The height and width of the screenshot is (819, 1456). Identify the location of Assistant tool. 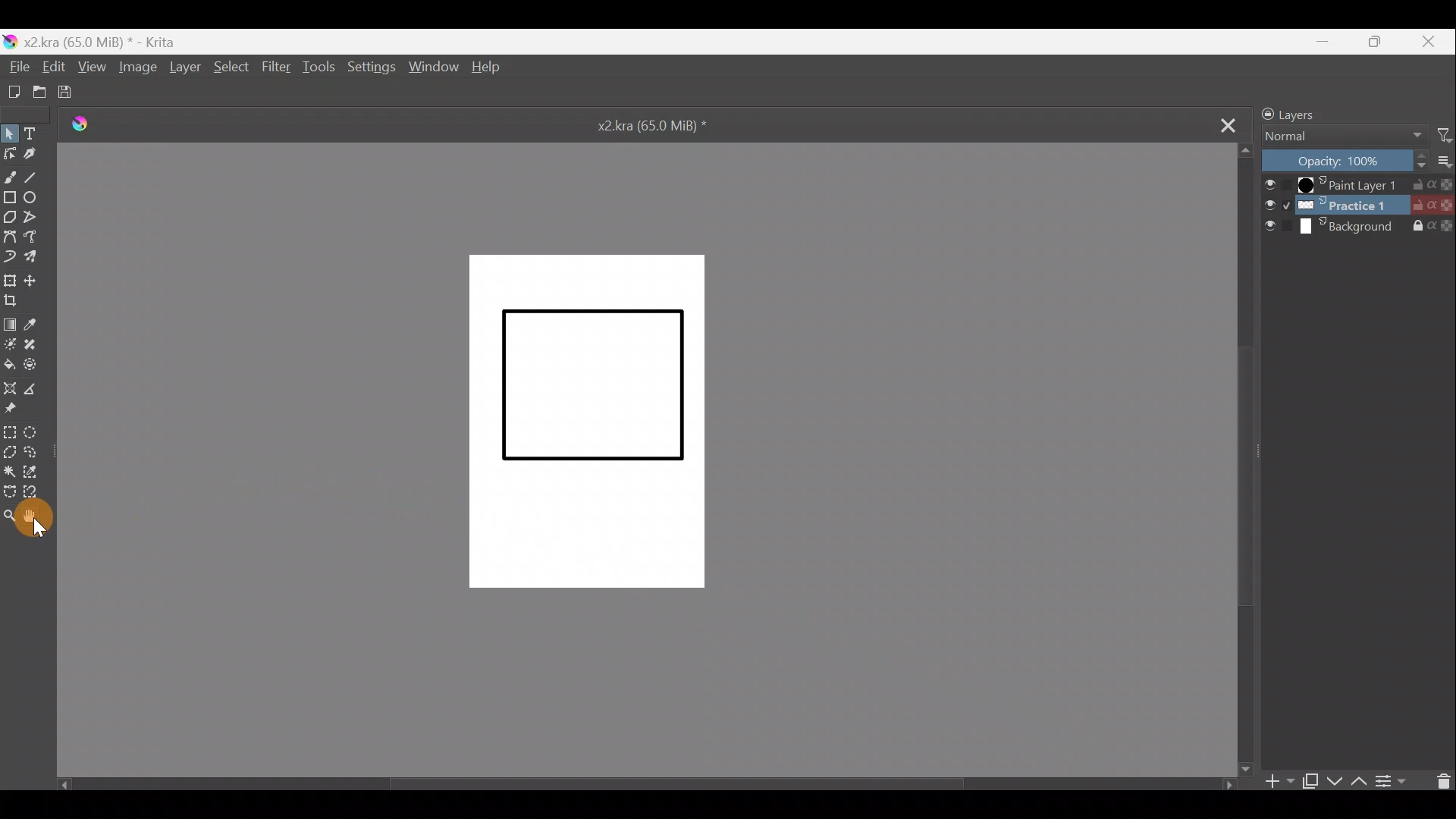
(10, 387).